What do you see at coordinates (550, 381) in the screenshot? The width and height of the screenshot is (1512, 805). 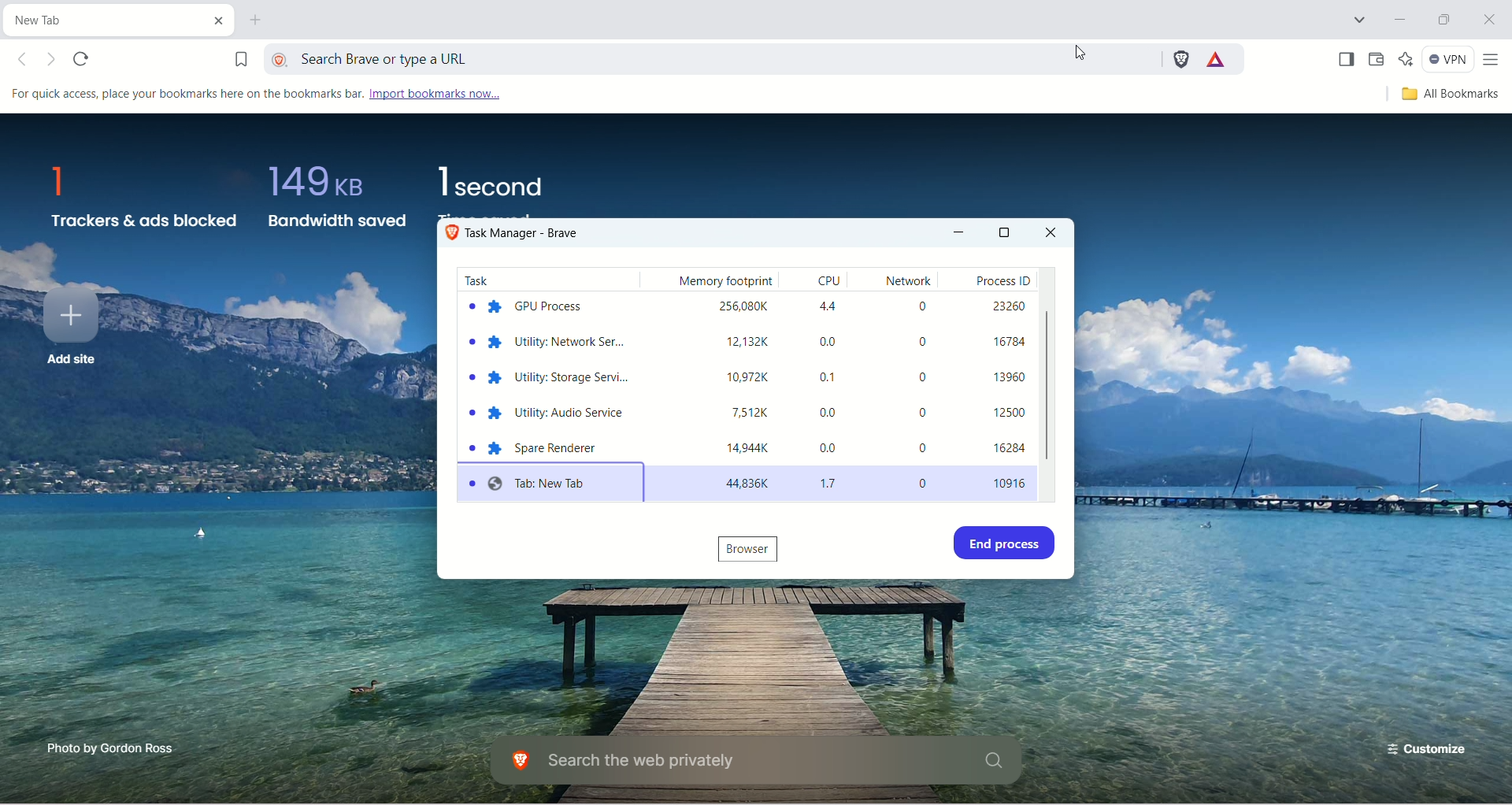 I see `utility-storage` at bounding box center [550, 381].